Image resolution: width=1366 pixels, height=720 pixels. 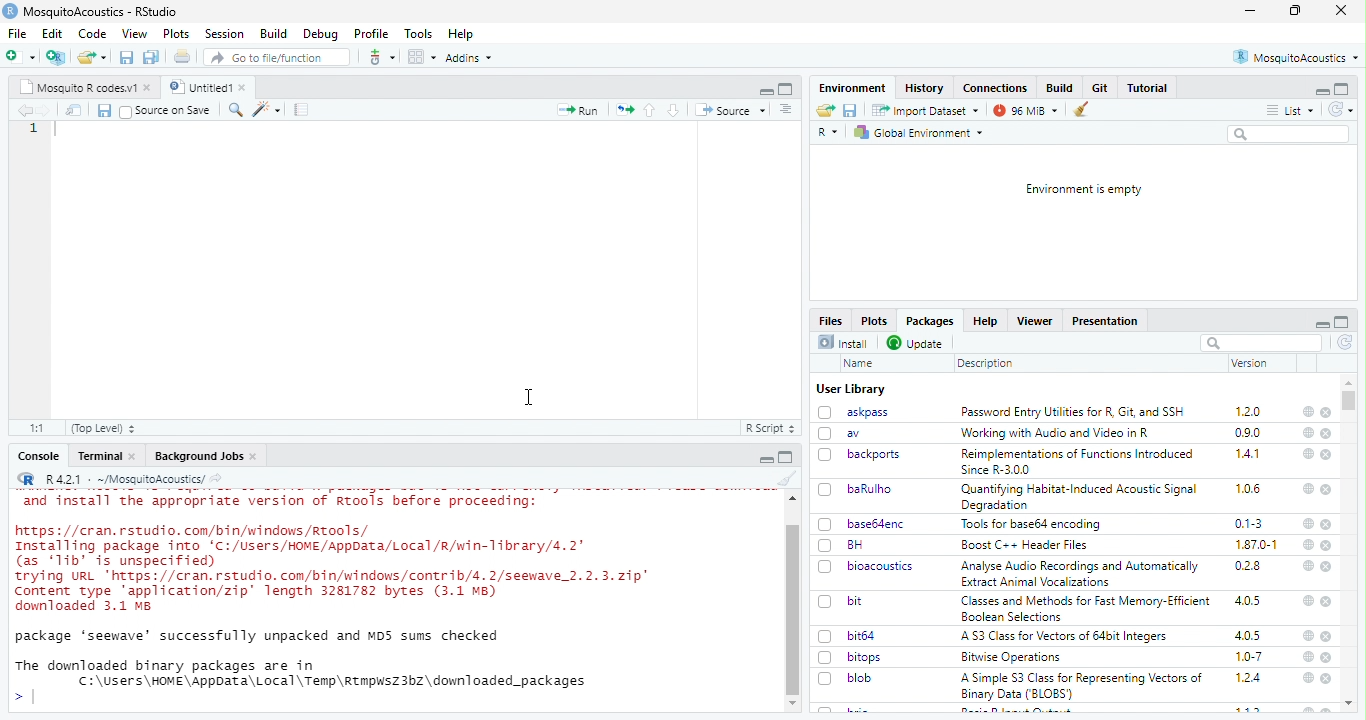 What do you see at coordinates (771, 428) in the screenshot?
I see `R Script ` at bounding box center [771, 428].